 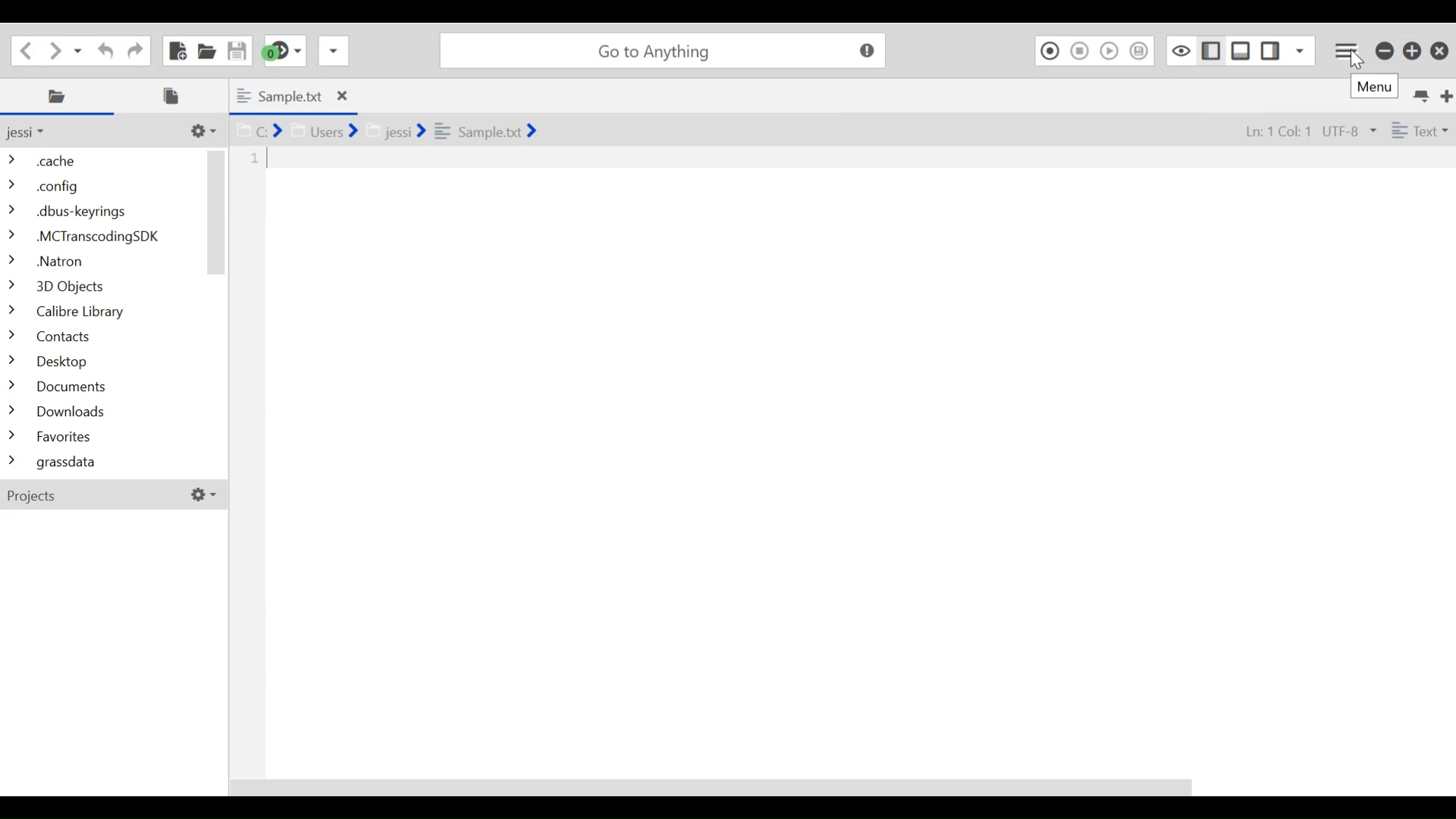 What do you see at coordinates (1444, 94) in the screenshot?
I see `New Tab` at bounding box center [1444, 94].